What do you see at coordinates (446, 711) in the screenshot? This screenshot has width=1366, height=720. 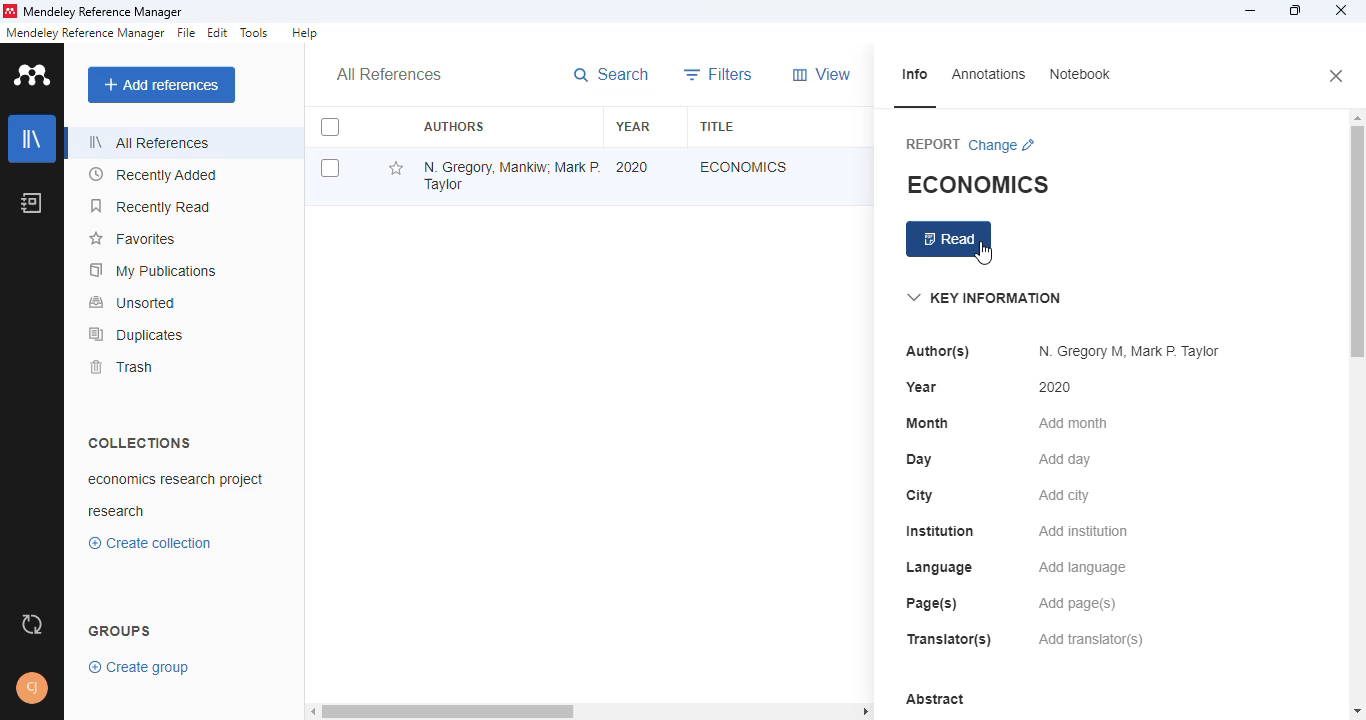 I see `horizontal scroll bar` at bounding box center [446, 711].